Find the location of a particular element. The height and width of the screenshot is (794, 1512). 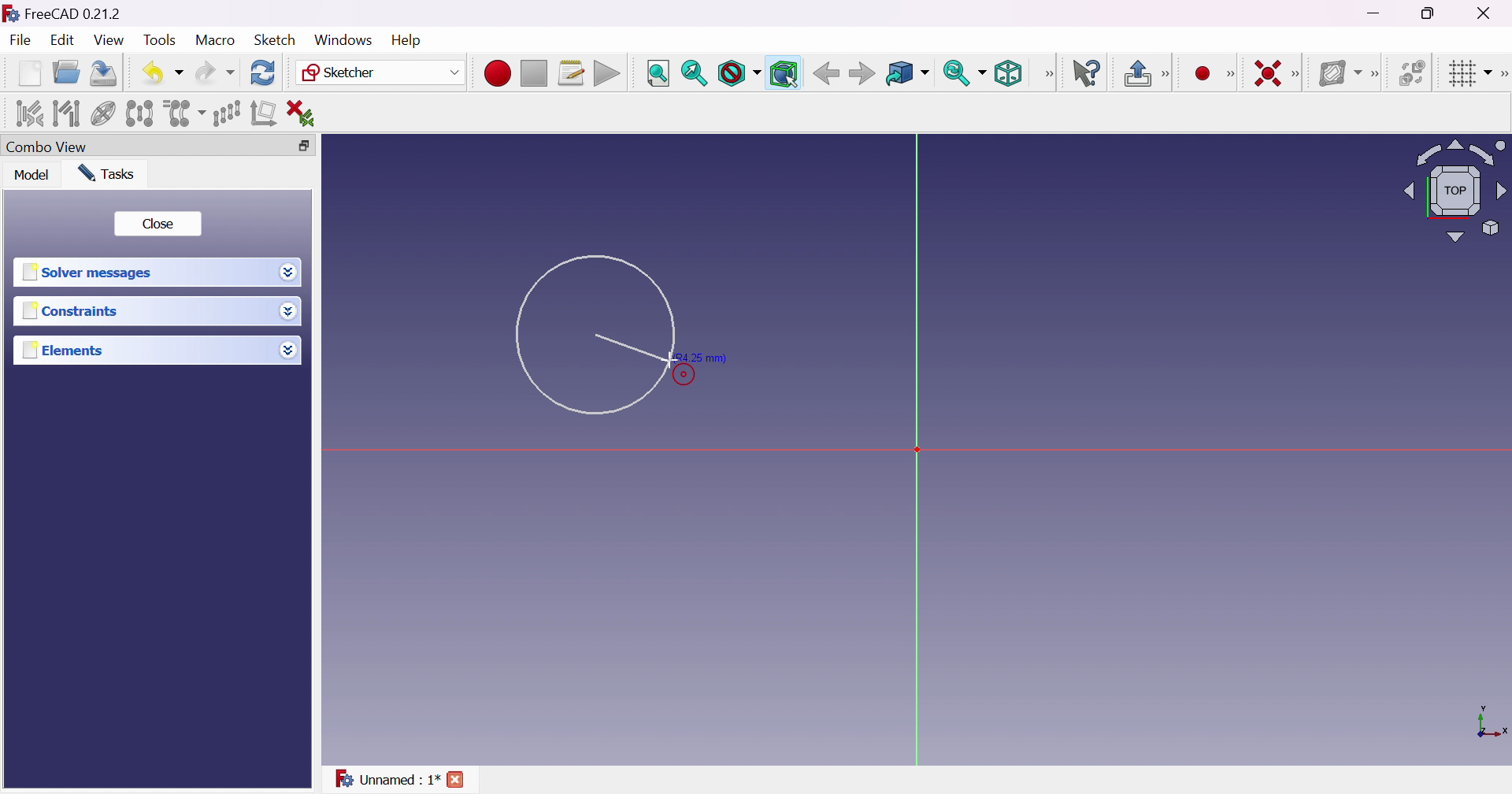

cursor is located at coordinates (667, 360).